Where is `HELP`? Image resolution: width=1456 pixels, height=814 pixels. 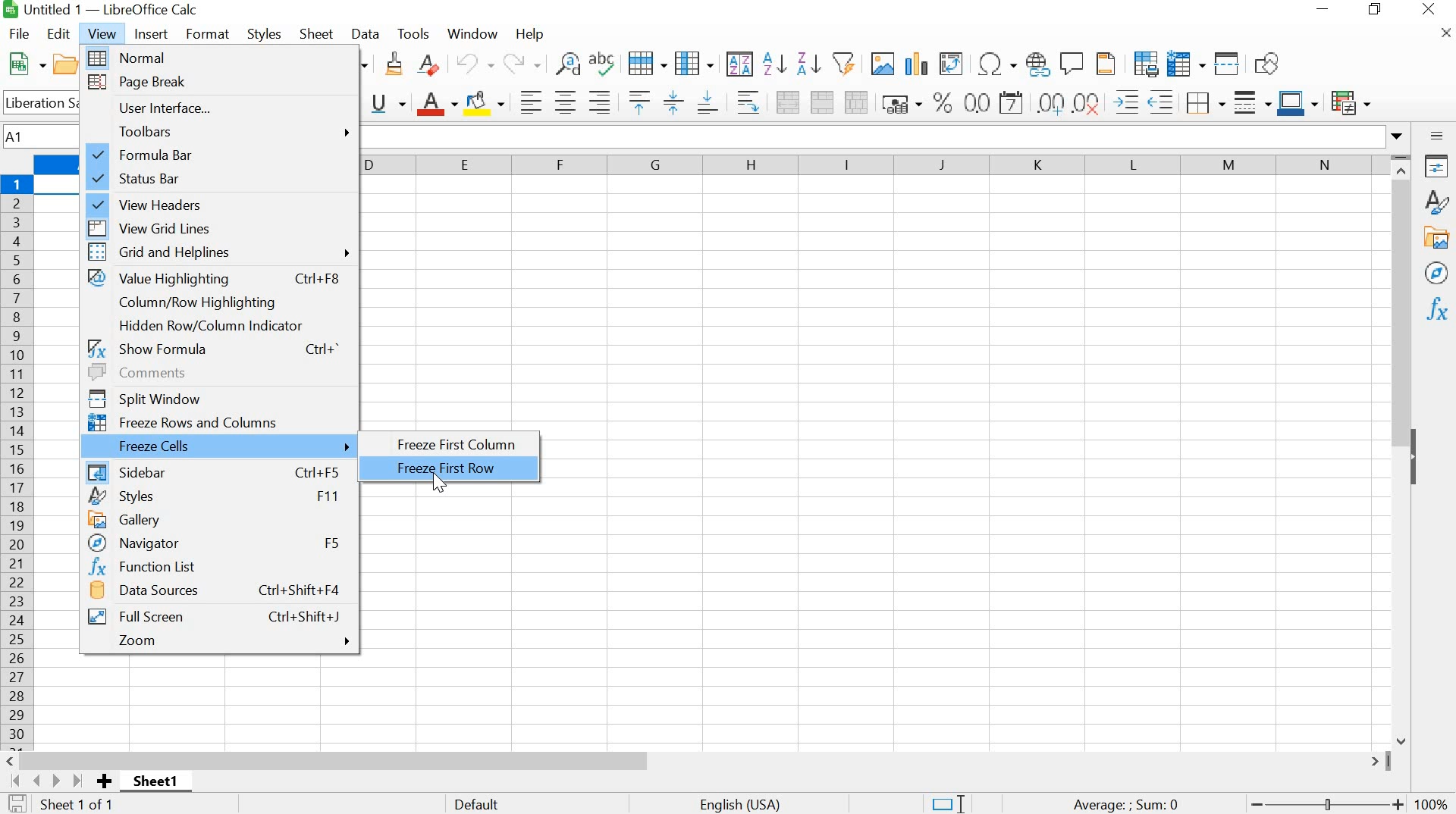 HELP is located at coordinates (529, 36).